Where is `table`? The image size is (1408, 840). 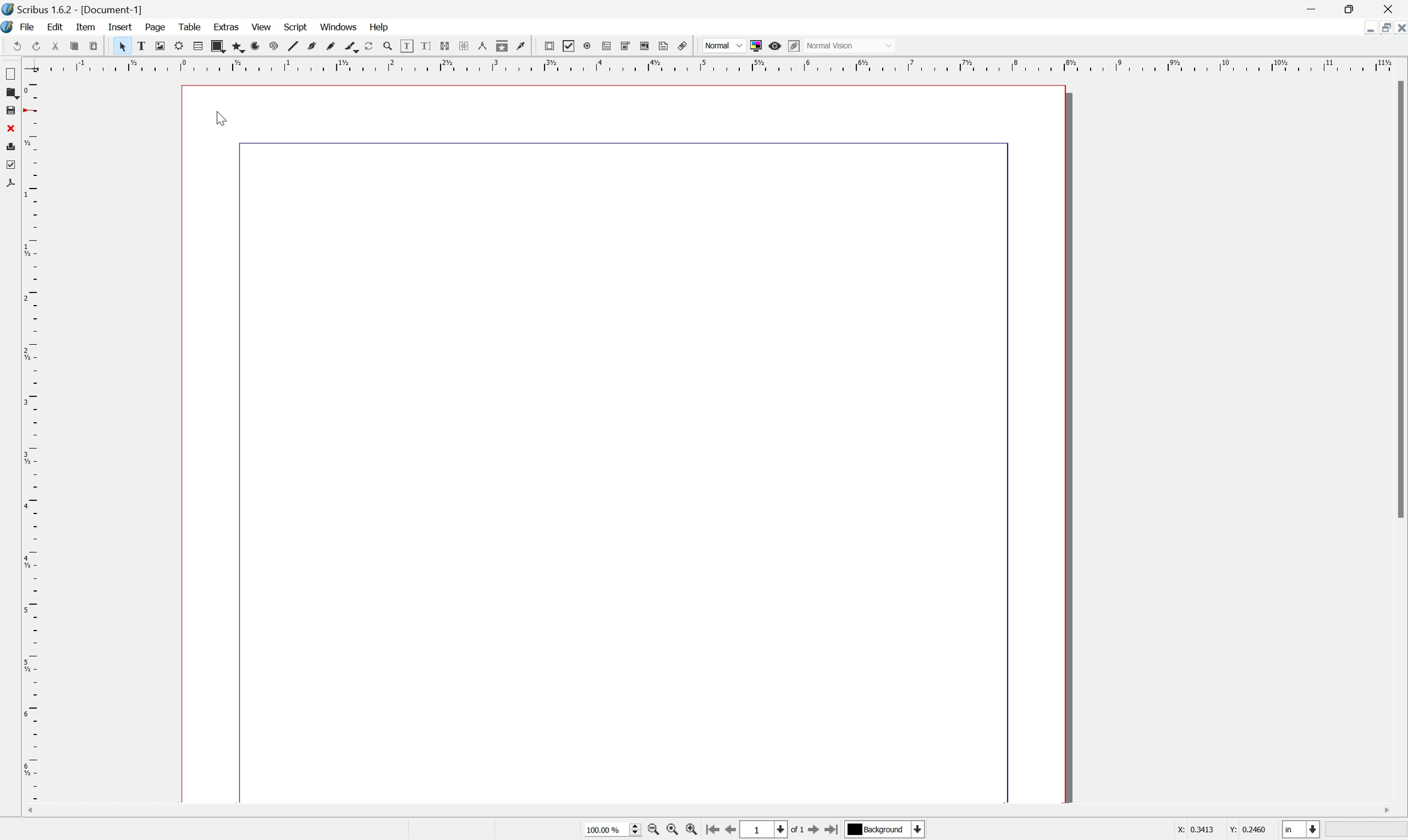 table is located at coordinates (190, 27).